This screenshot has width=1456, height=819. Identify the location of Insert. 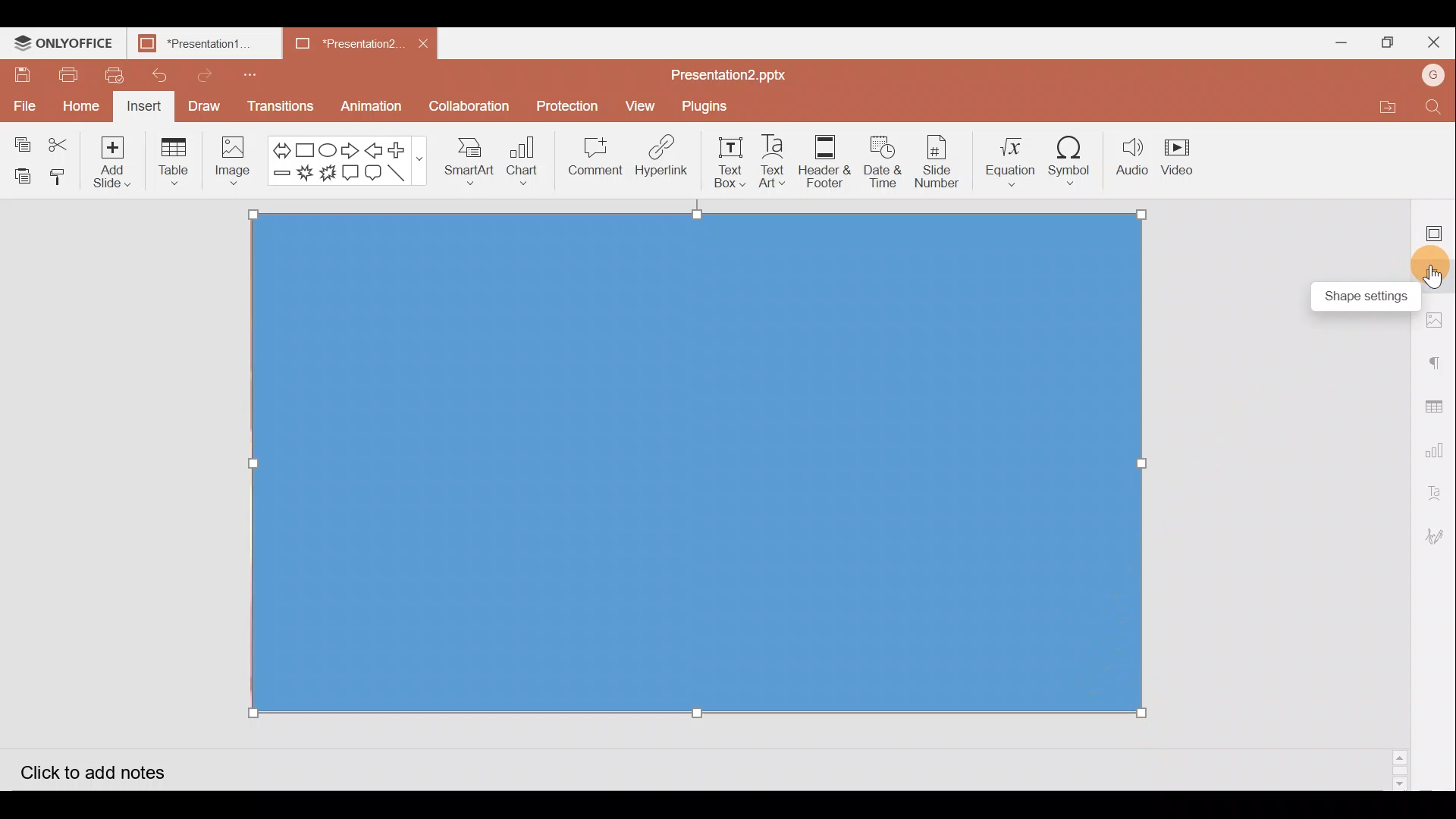
(146, 106).